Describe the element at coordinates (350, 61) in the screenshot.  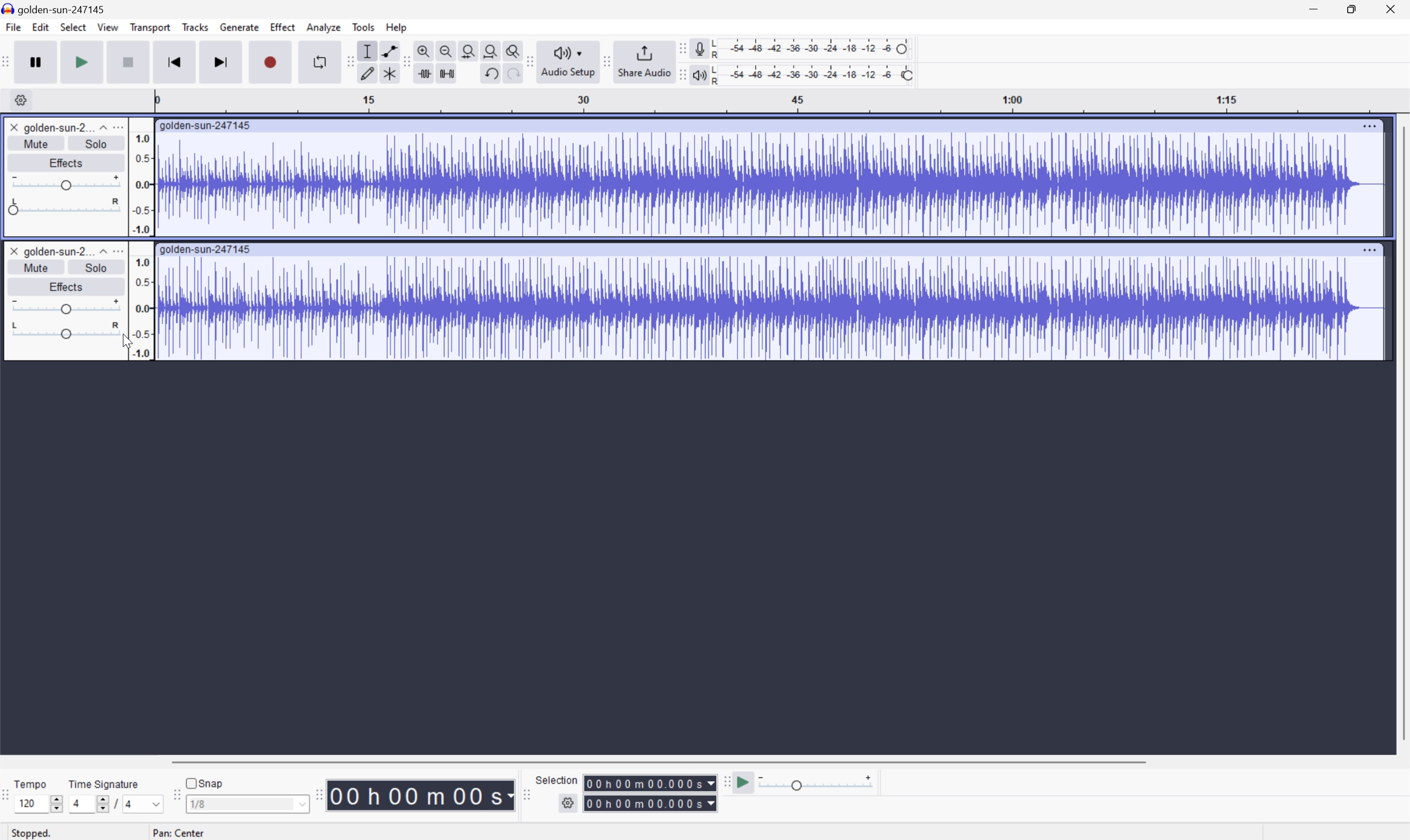
I see `Audacity tools toolbar` at that location.